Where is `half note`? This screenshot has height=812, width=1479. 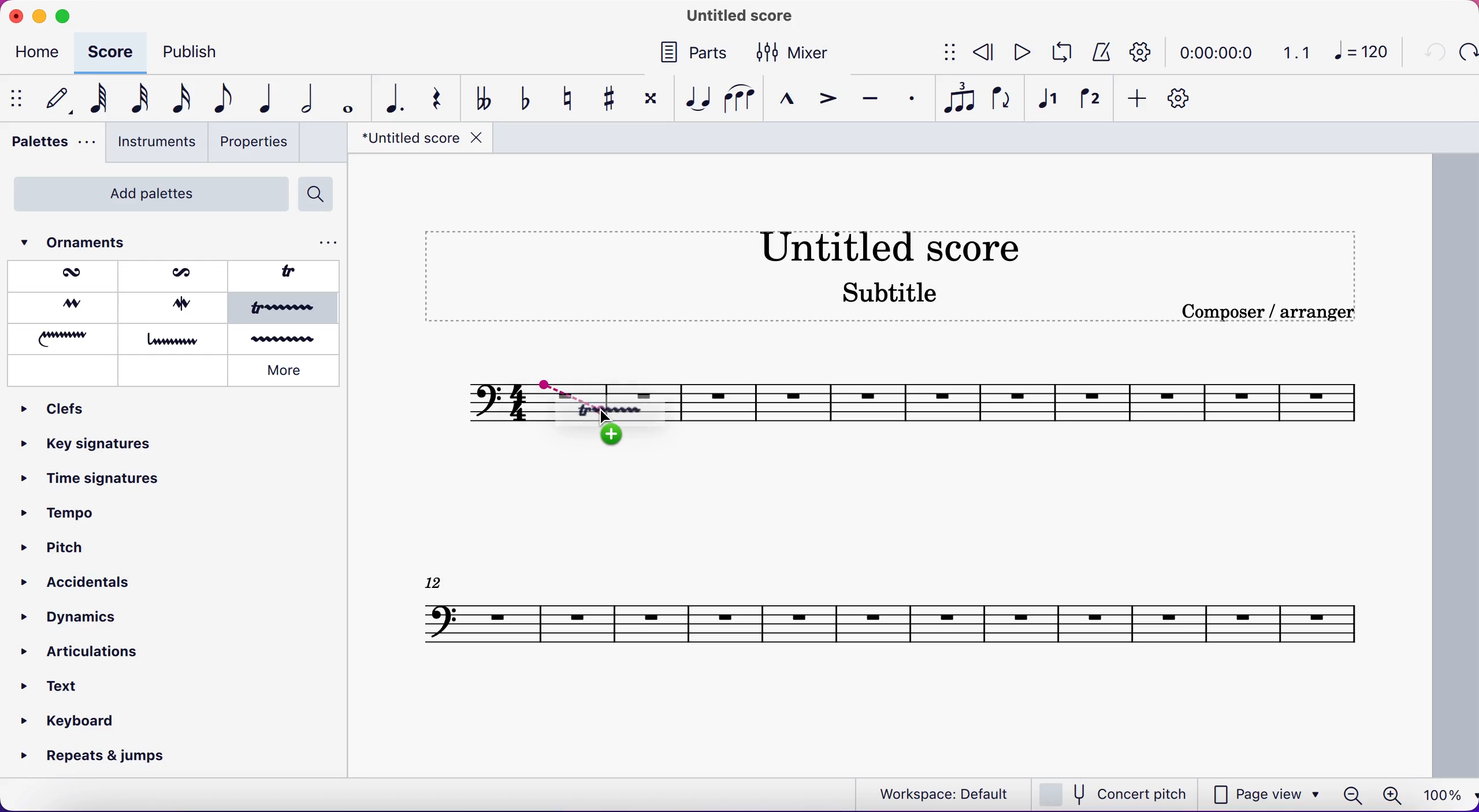 half note is located at coordinates (302, 98).